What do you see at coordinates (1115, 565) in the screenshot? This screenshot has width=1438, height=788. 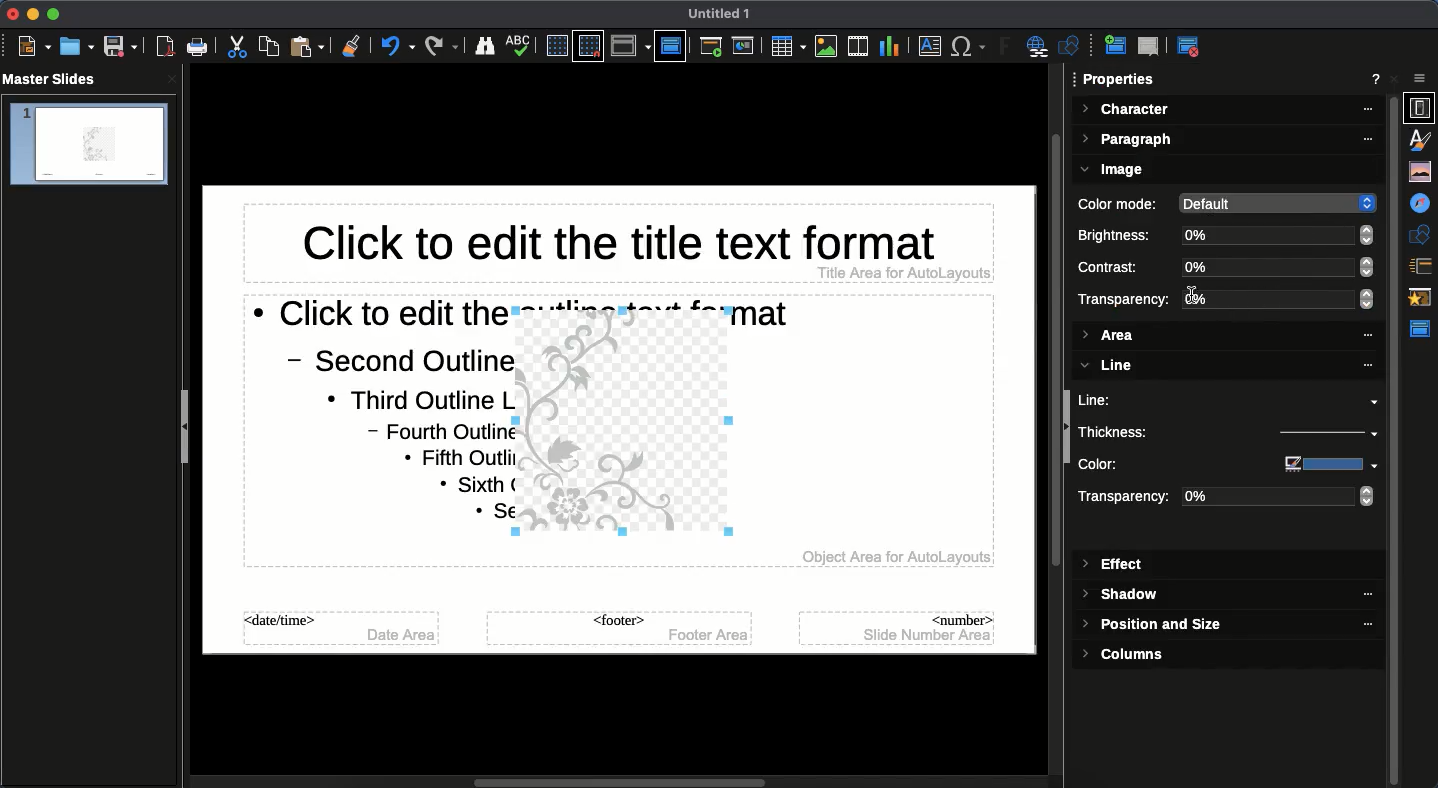 I see `Effect` at bounding box center [1115, 565].